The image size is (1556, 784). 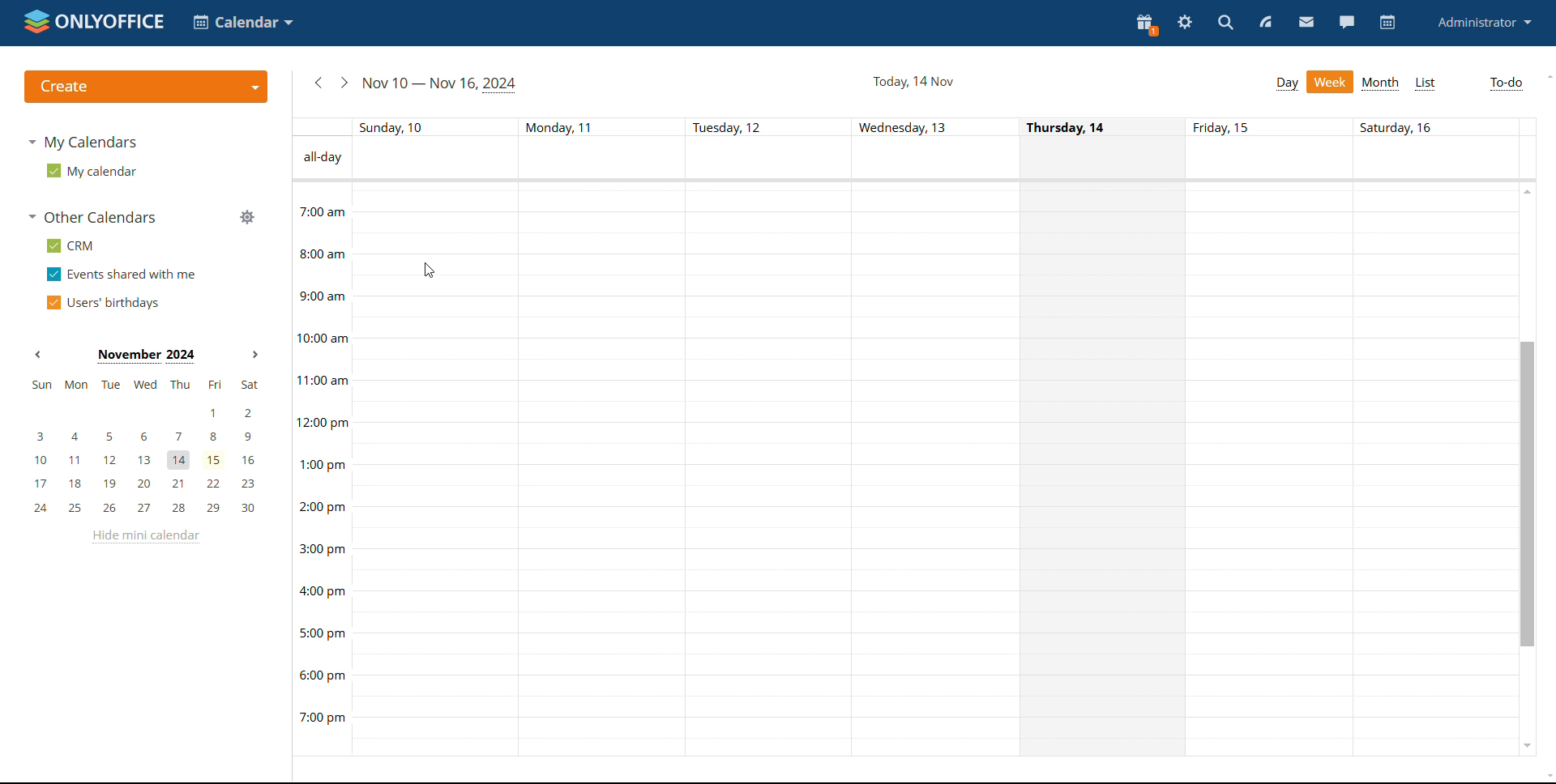 What do you see at coordinates (144, 355) in the screenshot?
I see `current month` at bounding box center [144, 355].